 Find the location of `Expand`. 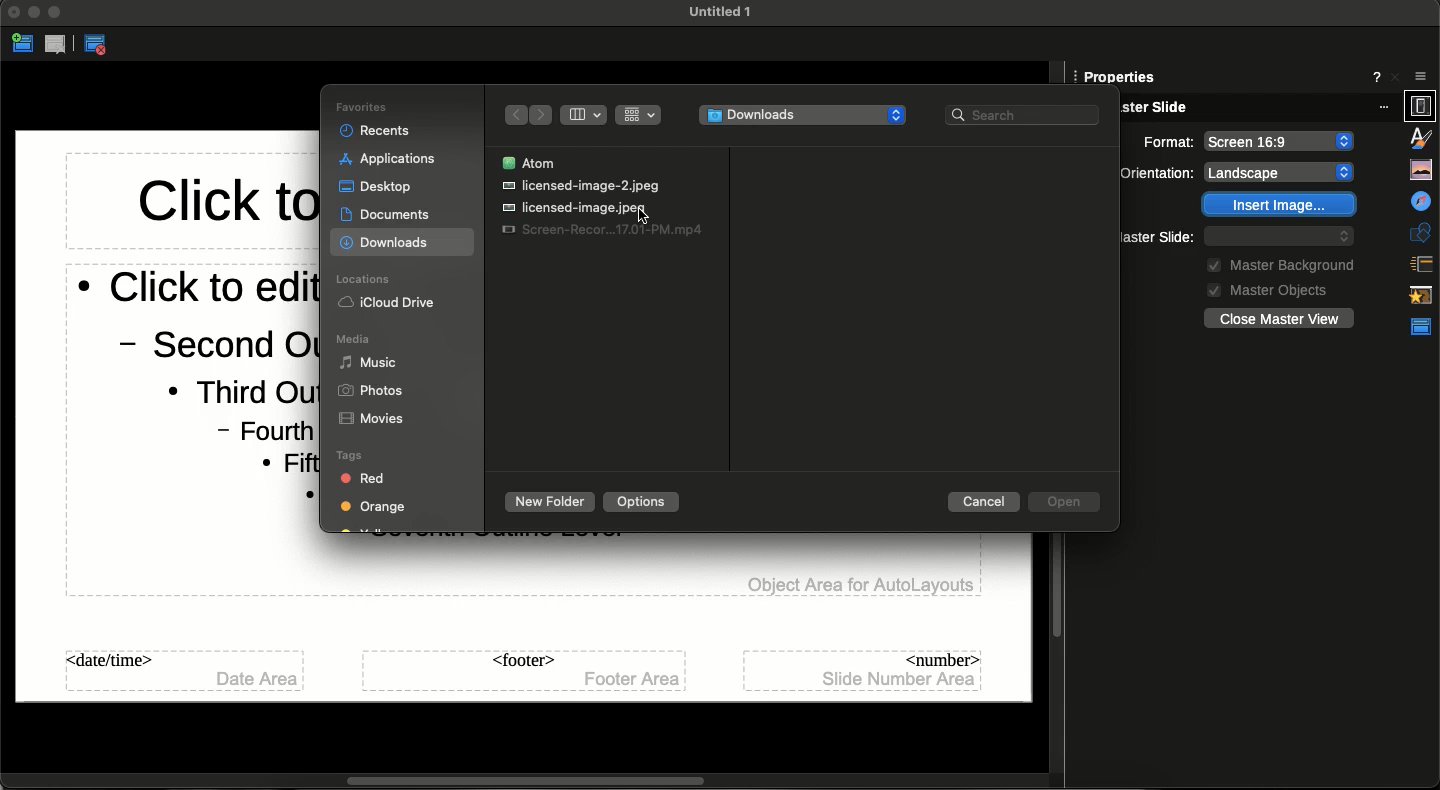

Expand is located at coordinates (55, 12).